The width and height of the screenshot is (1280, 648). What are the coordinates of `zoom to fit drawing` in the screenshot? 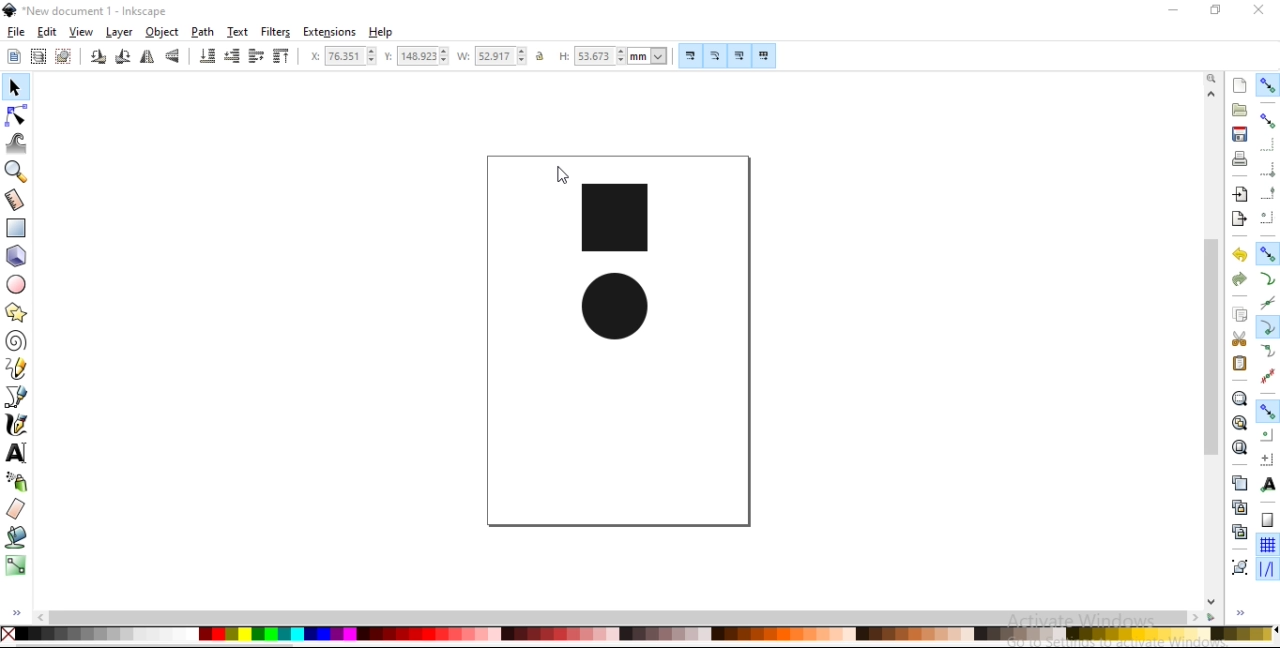 It's located at (1239, 422).